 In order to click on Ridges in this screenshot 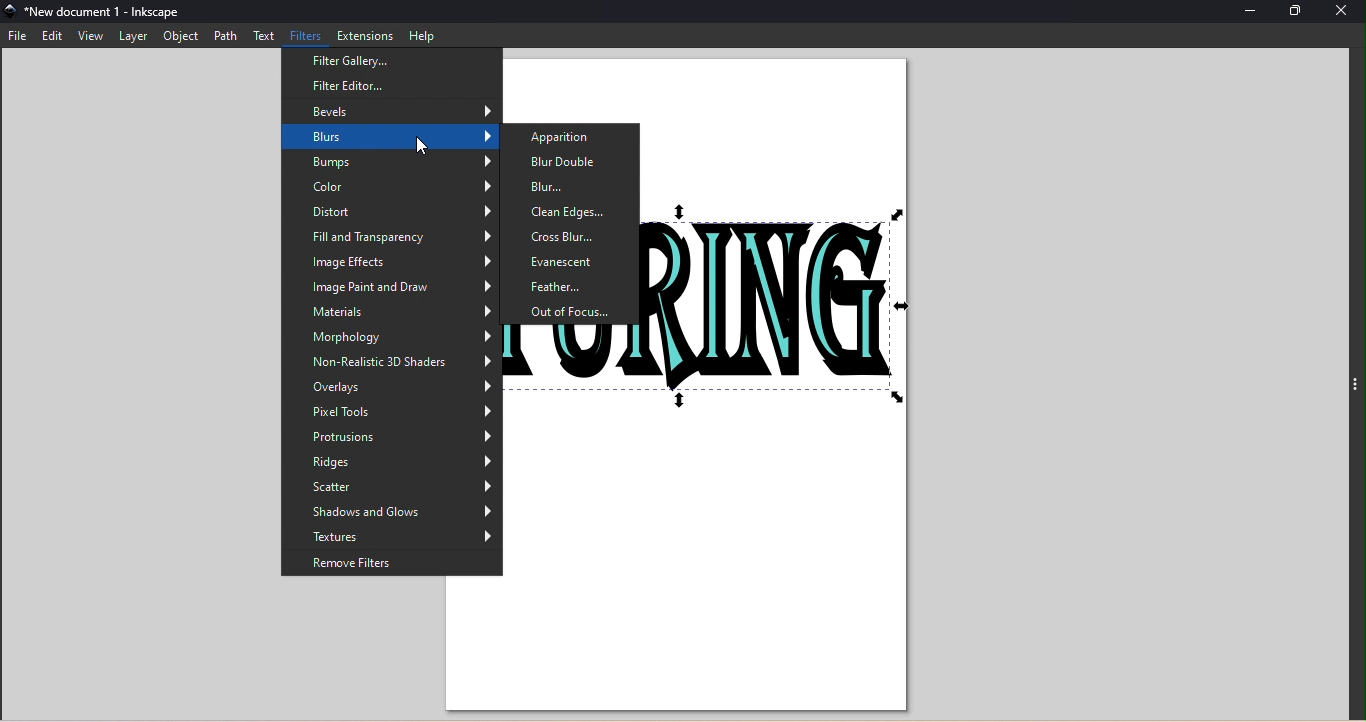, I will do `click(391, 461)`.